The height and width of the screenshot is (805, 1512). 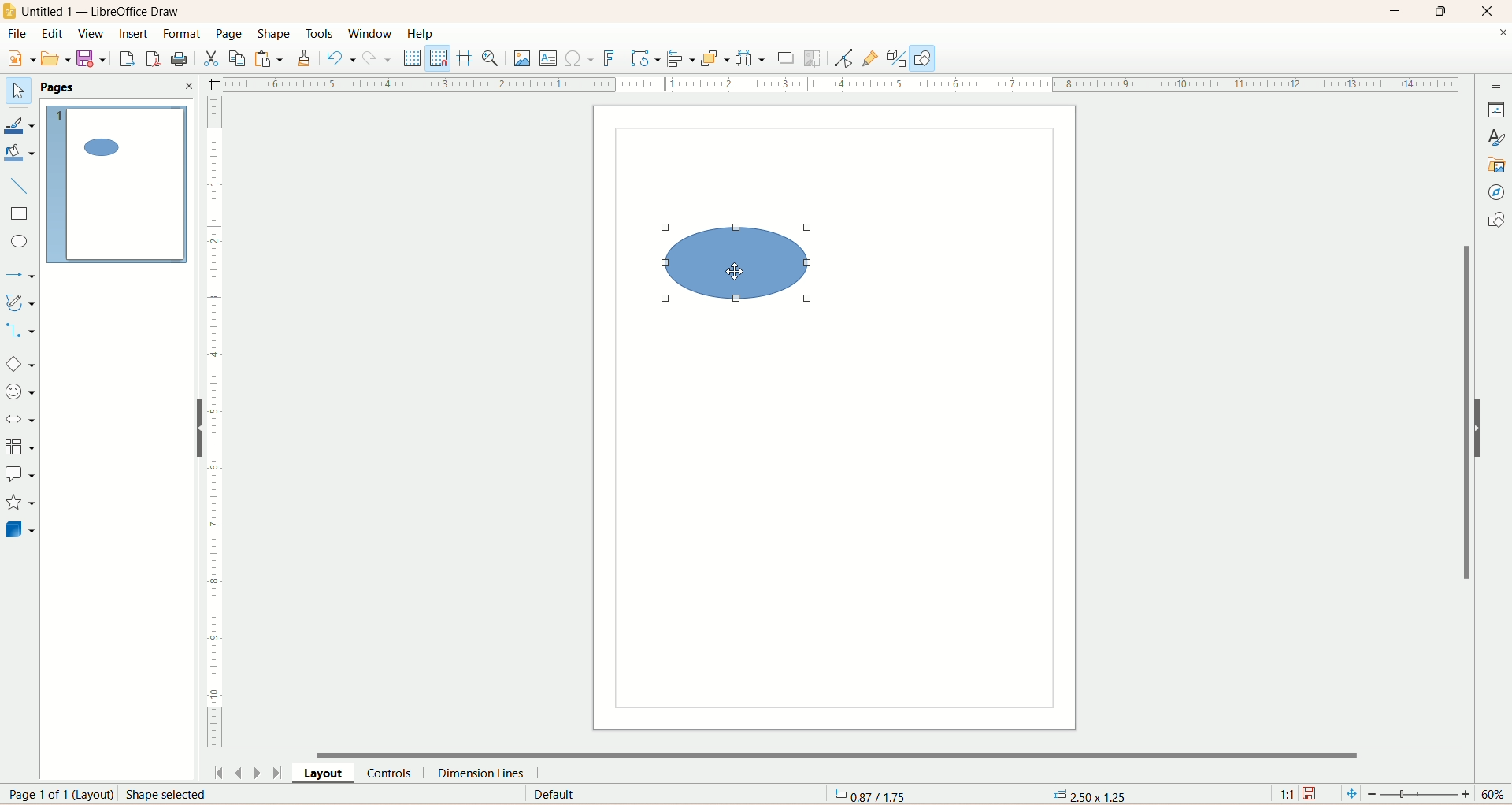 What do you see at coordinates (185, 60) in the screenshot?
I see `print` at bounding box center [185, 60].